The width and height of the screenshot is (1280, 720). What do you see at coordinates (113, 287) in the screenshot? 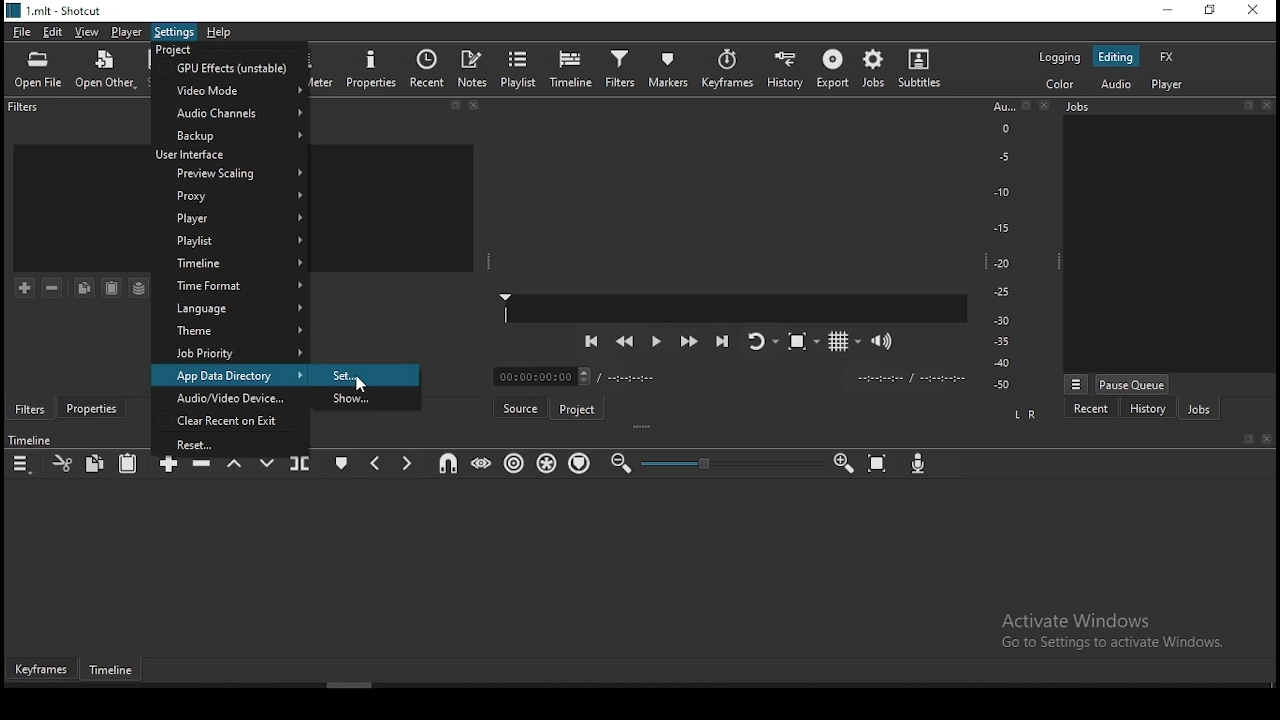
I see `paste a filter` at bounding box center [113, 287].